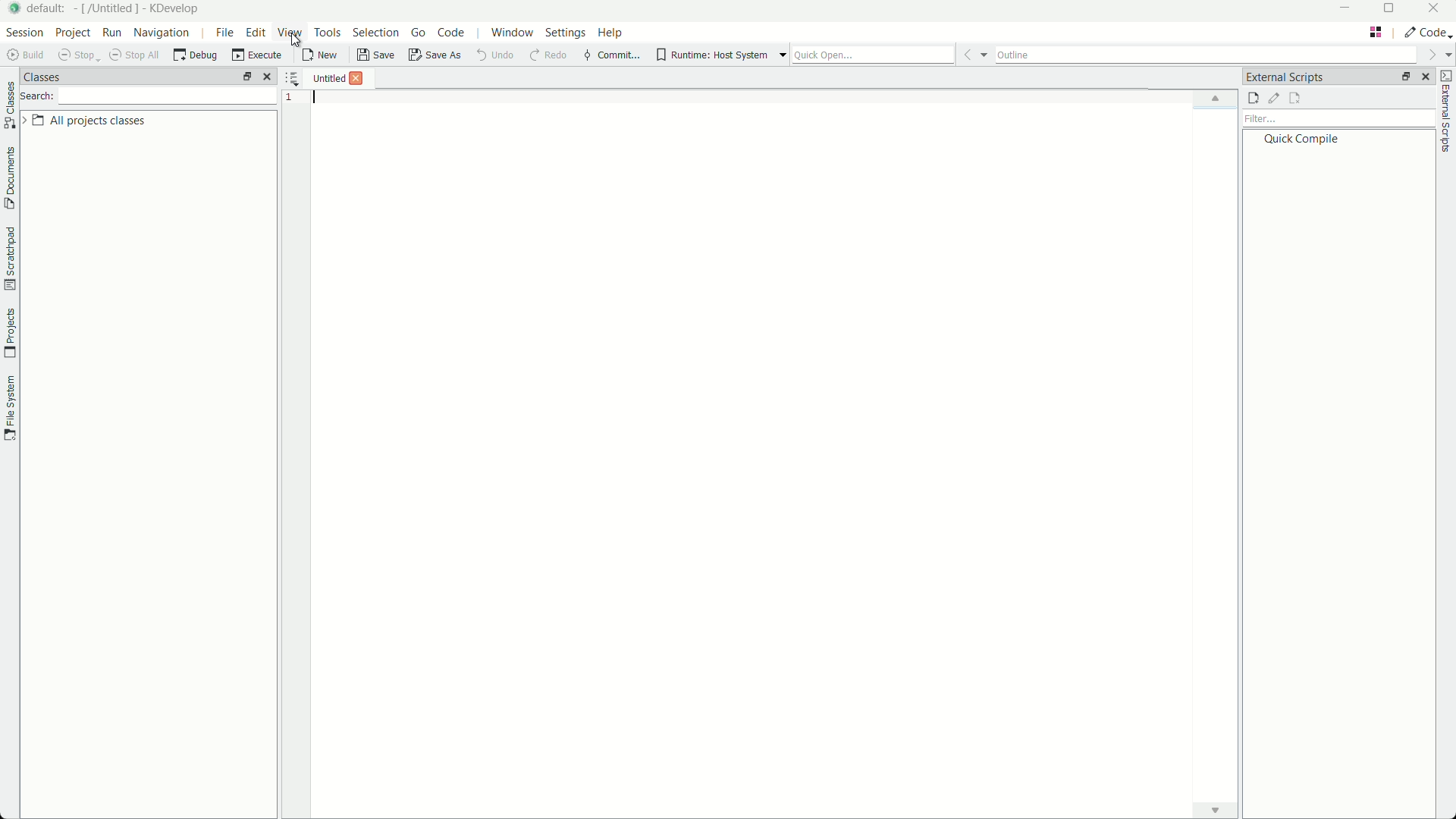 The image size is (1456, 819). What do you see at coordinates (890, 53) in the screenshot?
I see `quick open` at bounding box center [890, 53].